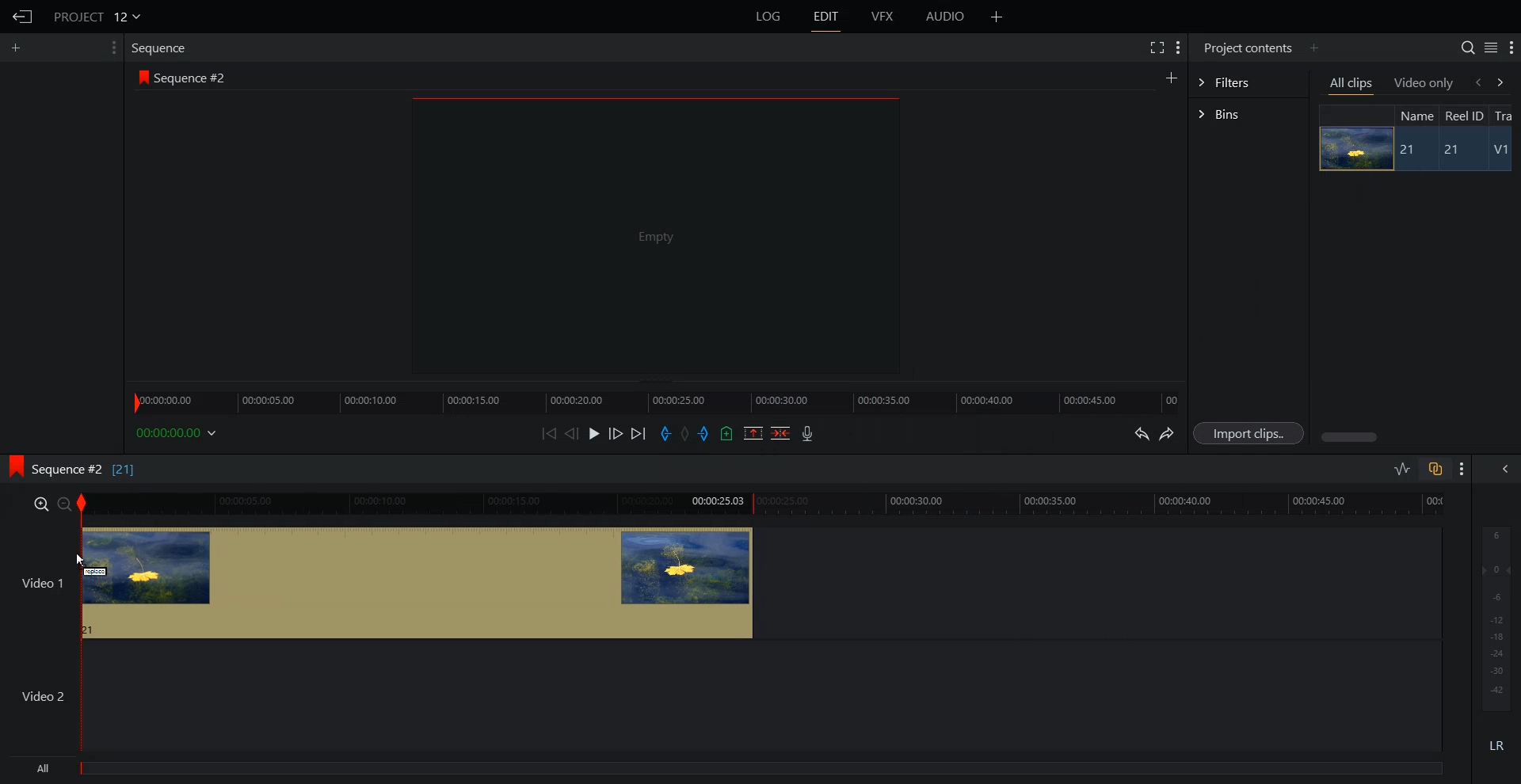 The width and height of the screenshot is (1521, 784). I want to click on Add an out Mark in current position, so click(706, 433).